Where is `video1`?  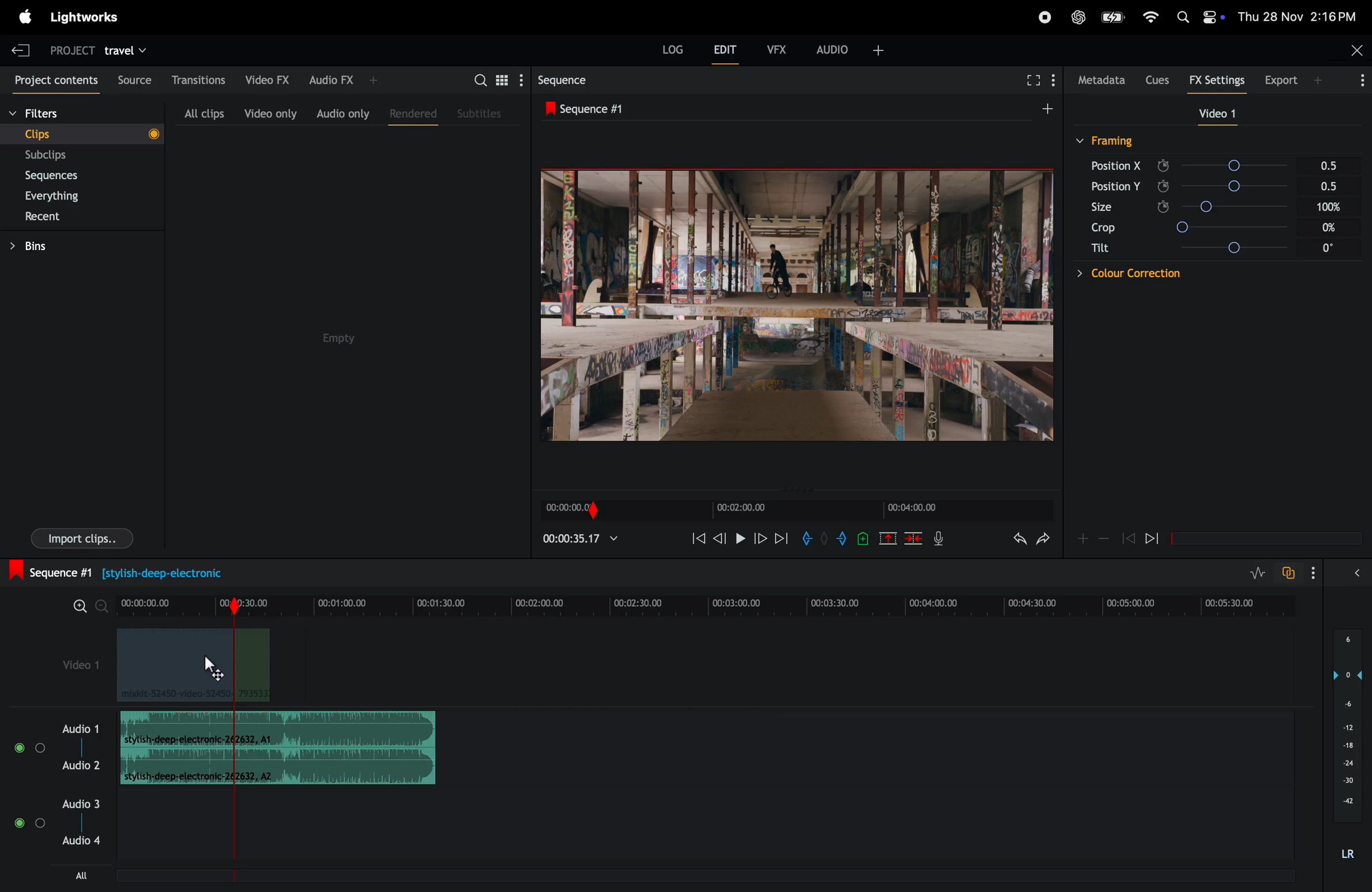 video1 is located at coordinates (71, 664).